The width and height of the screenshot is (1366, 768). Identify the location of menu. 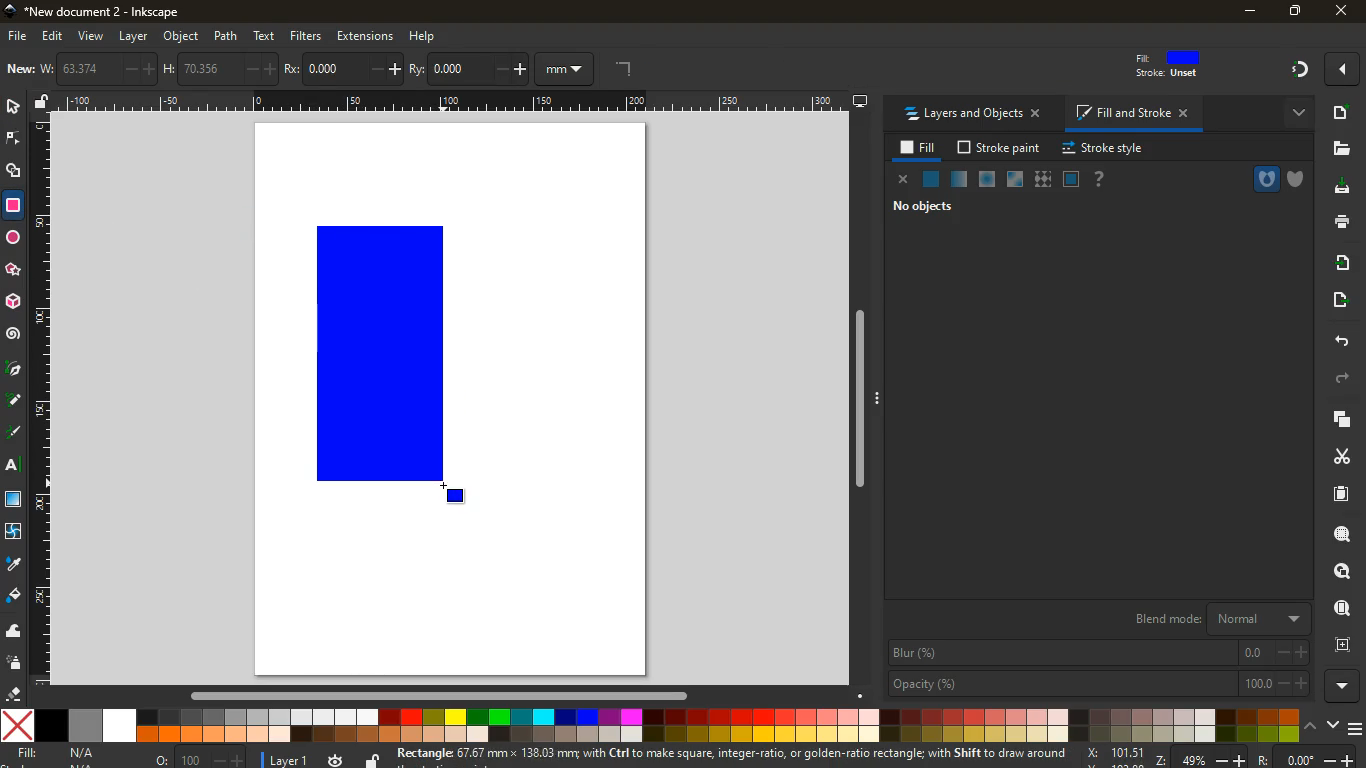
(1354, 729).